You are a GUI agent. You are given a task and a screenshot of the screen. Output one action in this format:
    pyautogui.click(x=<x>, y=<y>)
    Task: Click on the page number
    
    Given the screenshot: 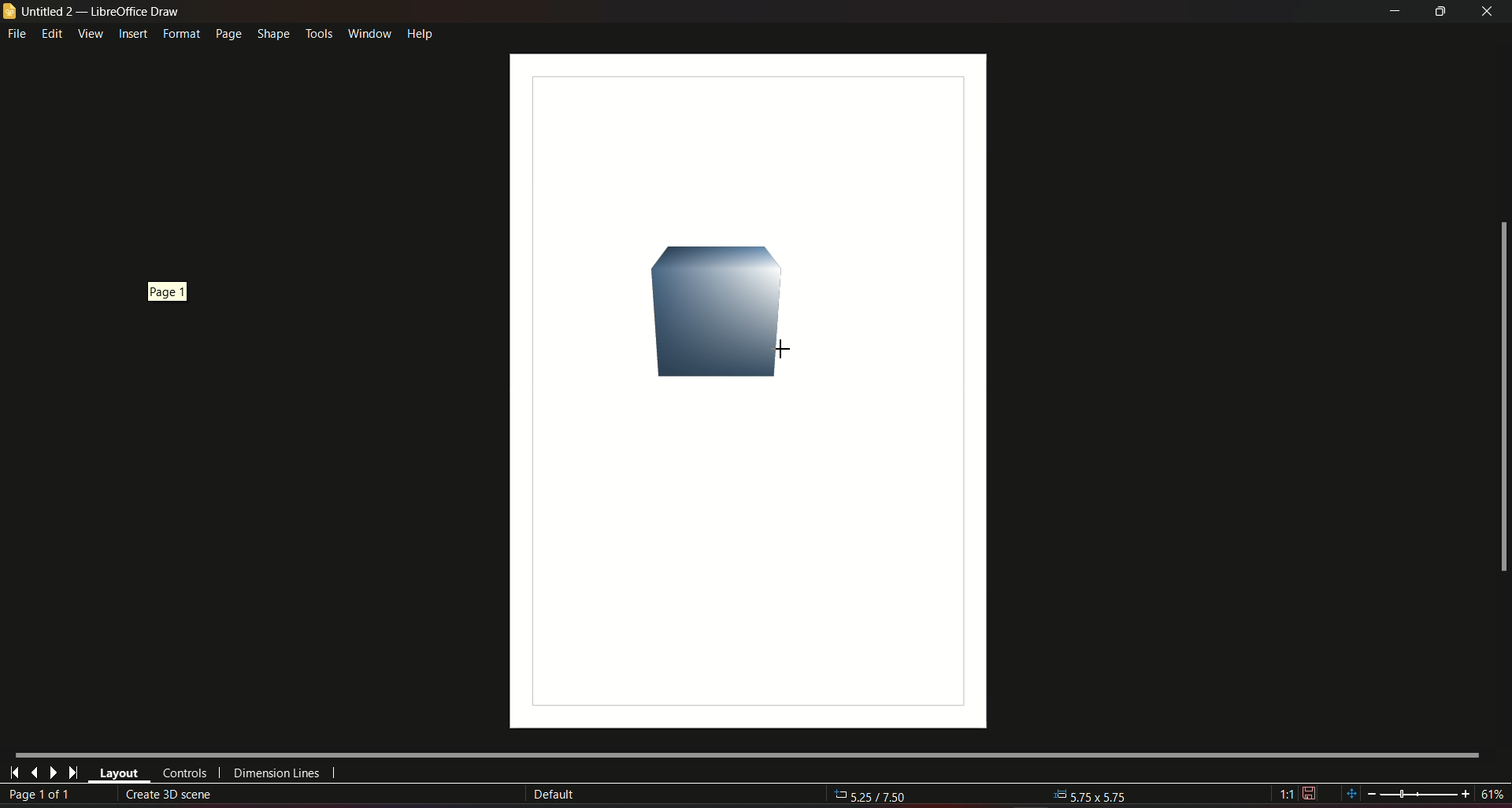 What is the action you would take?
    pyautogui.click(x=43, y=795)
    